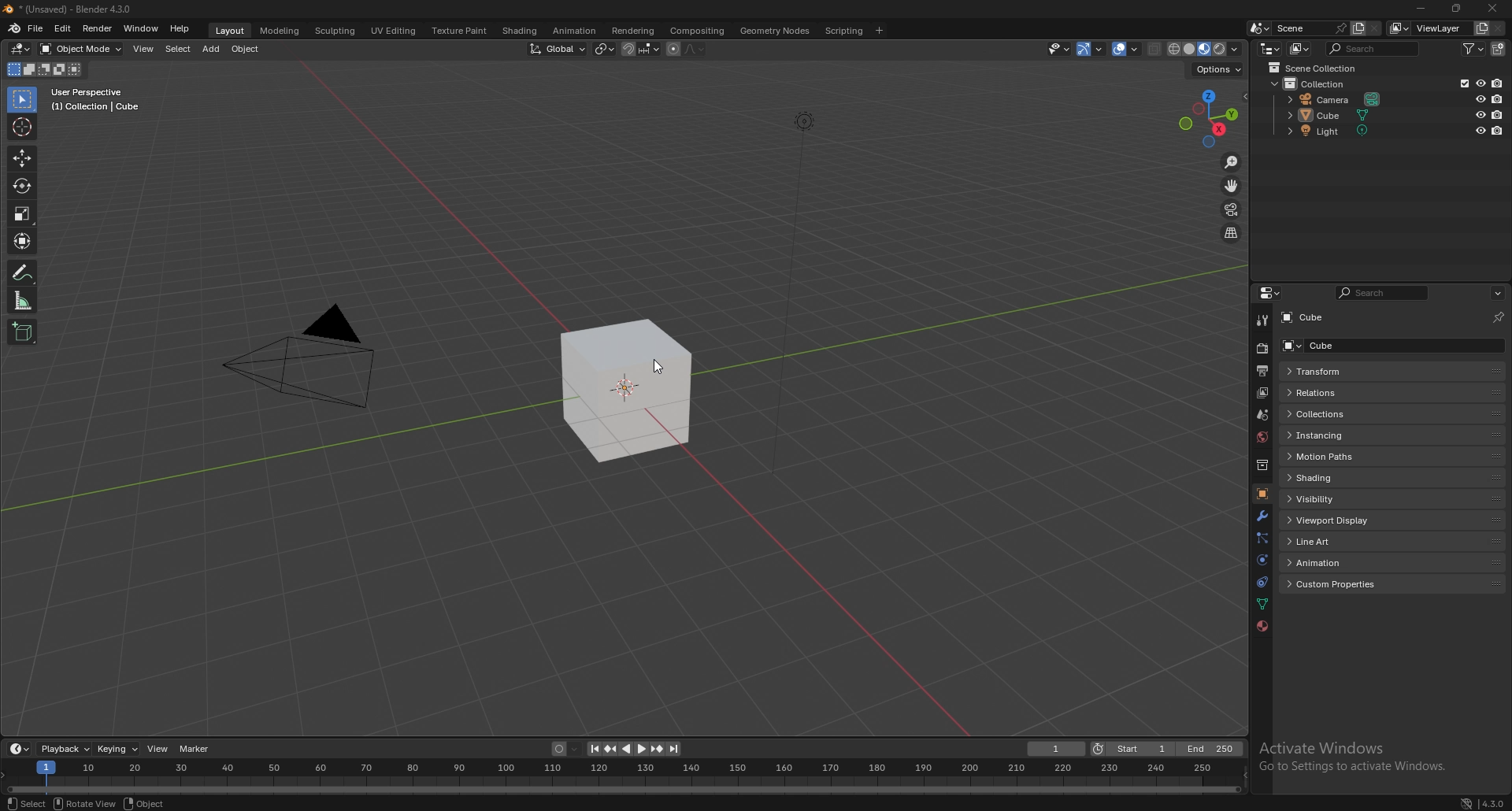 The image size is (1512, 811). Describe the element at coordinates (20, 49) in the screenshot. I see `editor type` at that location.